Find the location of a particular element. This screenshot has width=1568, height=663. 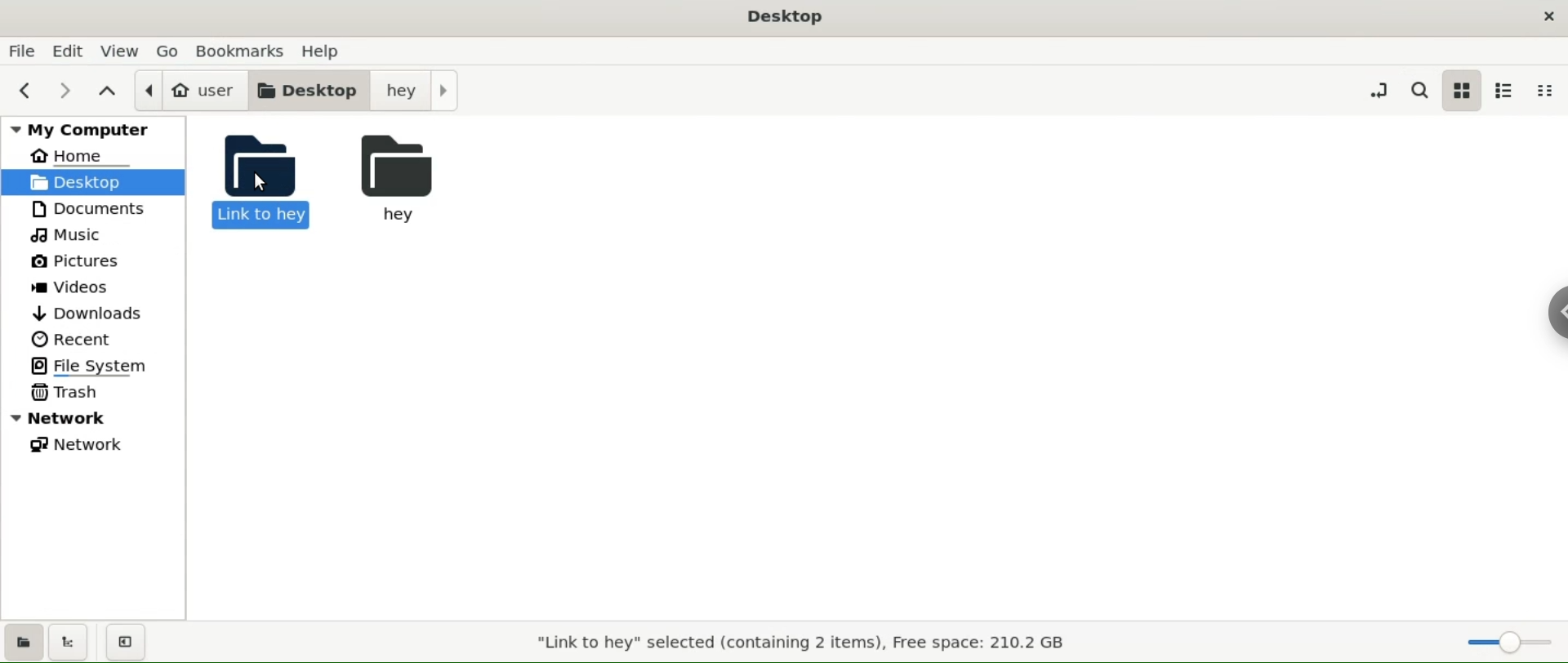

parent folders is located at coordinates (109, 91).